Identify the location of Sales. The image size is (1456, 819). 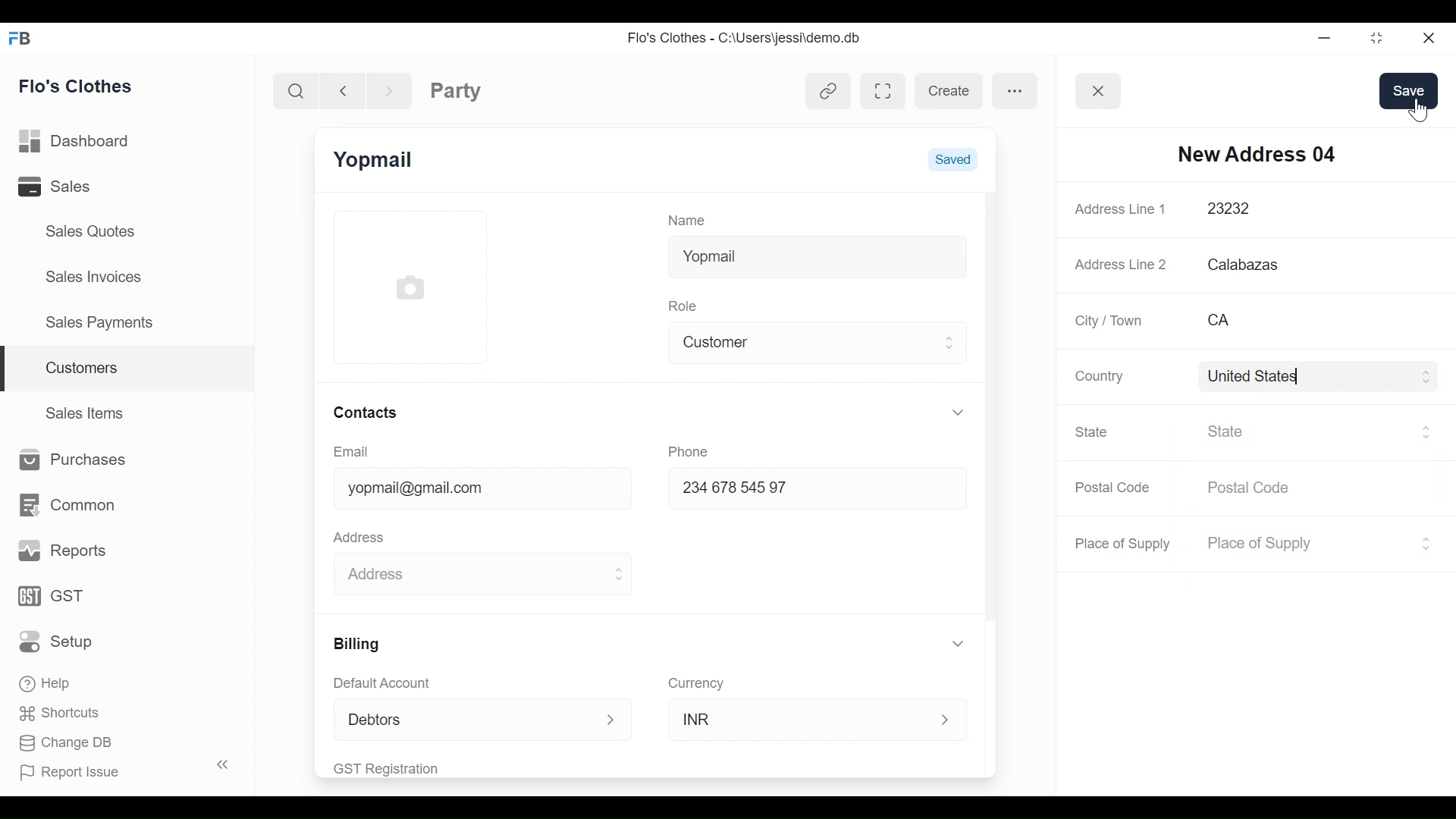
(75, 186).